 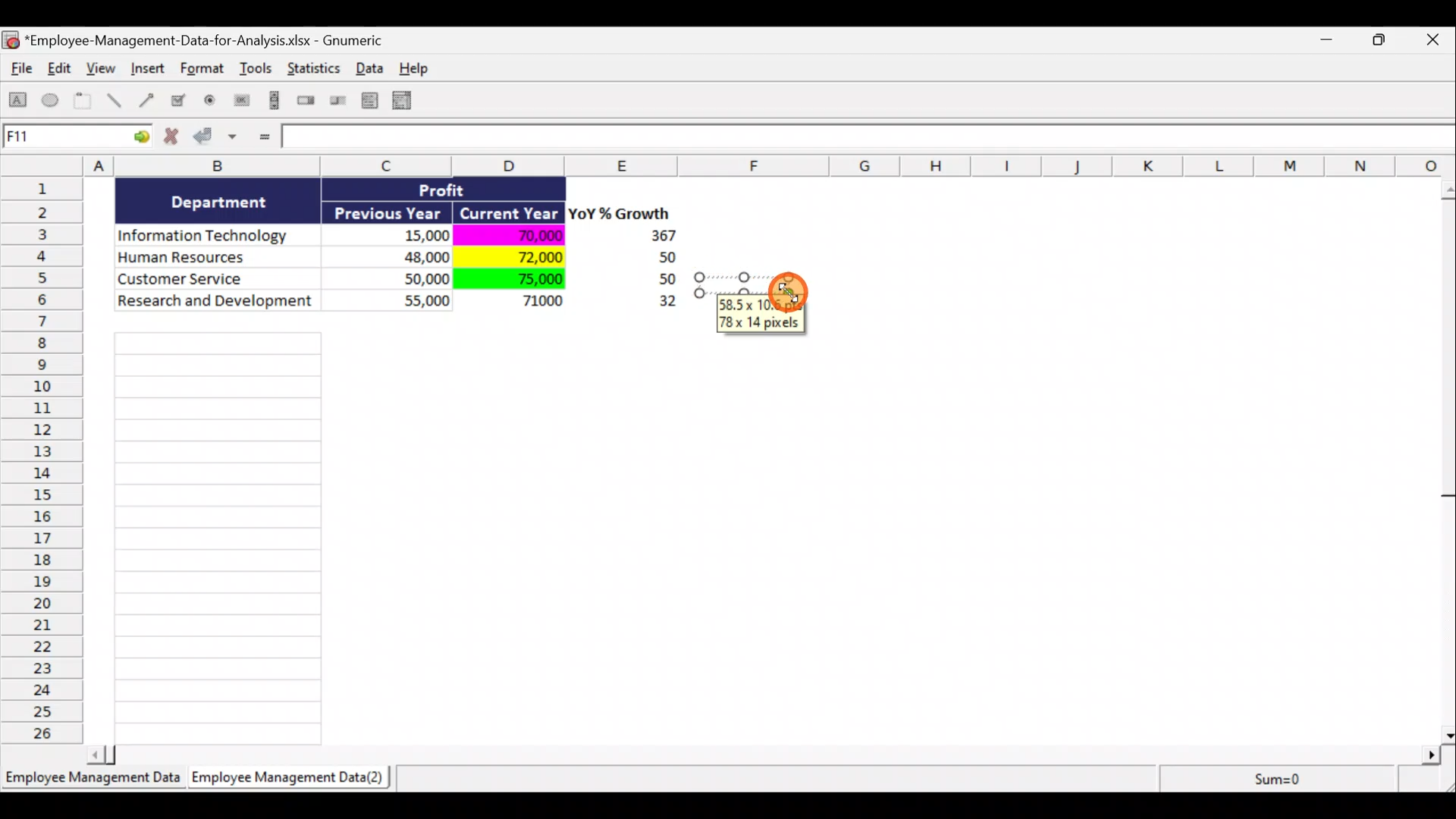 What do you see at coordinates (292, 781) in the screenshot?
I see `Sheet 2` at bounding box center [292, 781].